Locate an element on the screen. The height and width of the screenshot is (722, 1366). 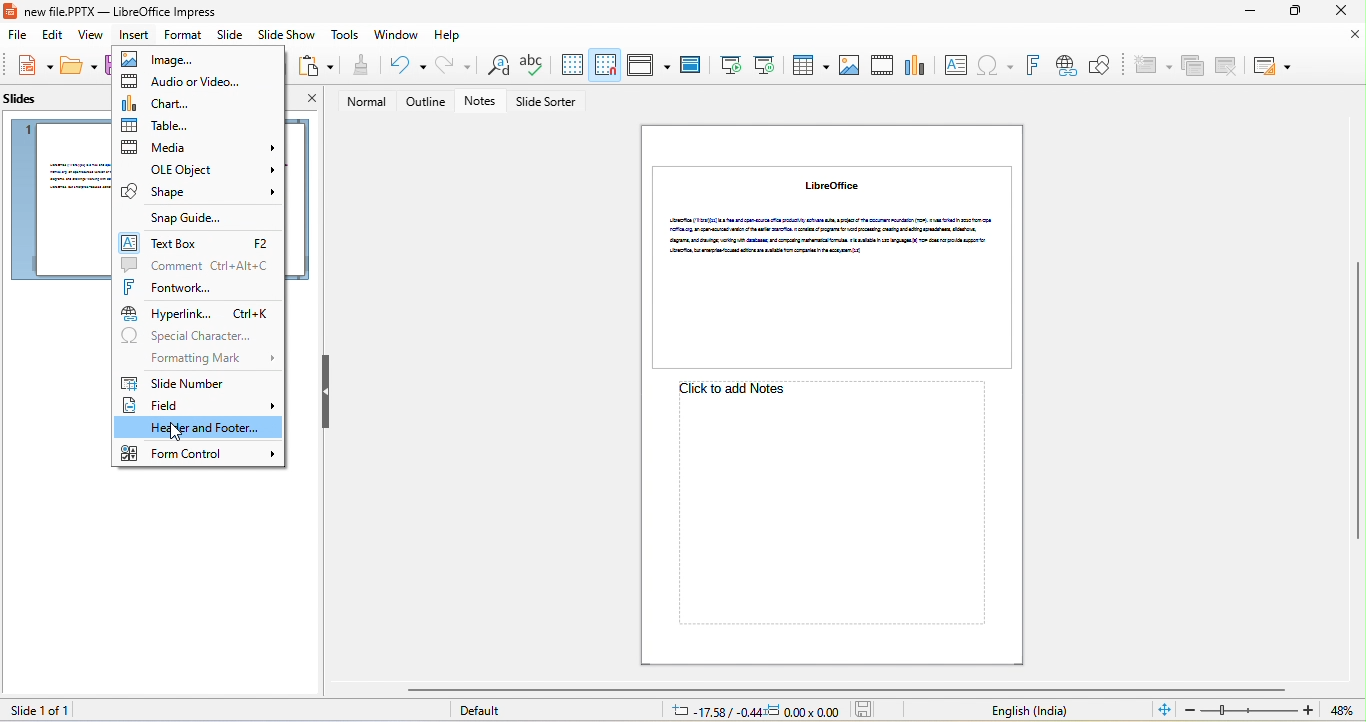
text box is located at coordinates (955, 65).